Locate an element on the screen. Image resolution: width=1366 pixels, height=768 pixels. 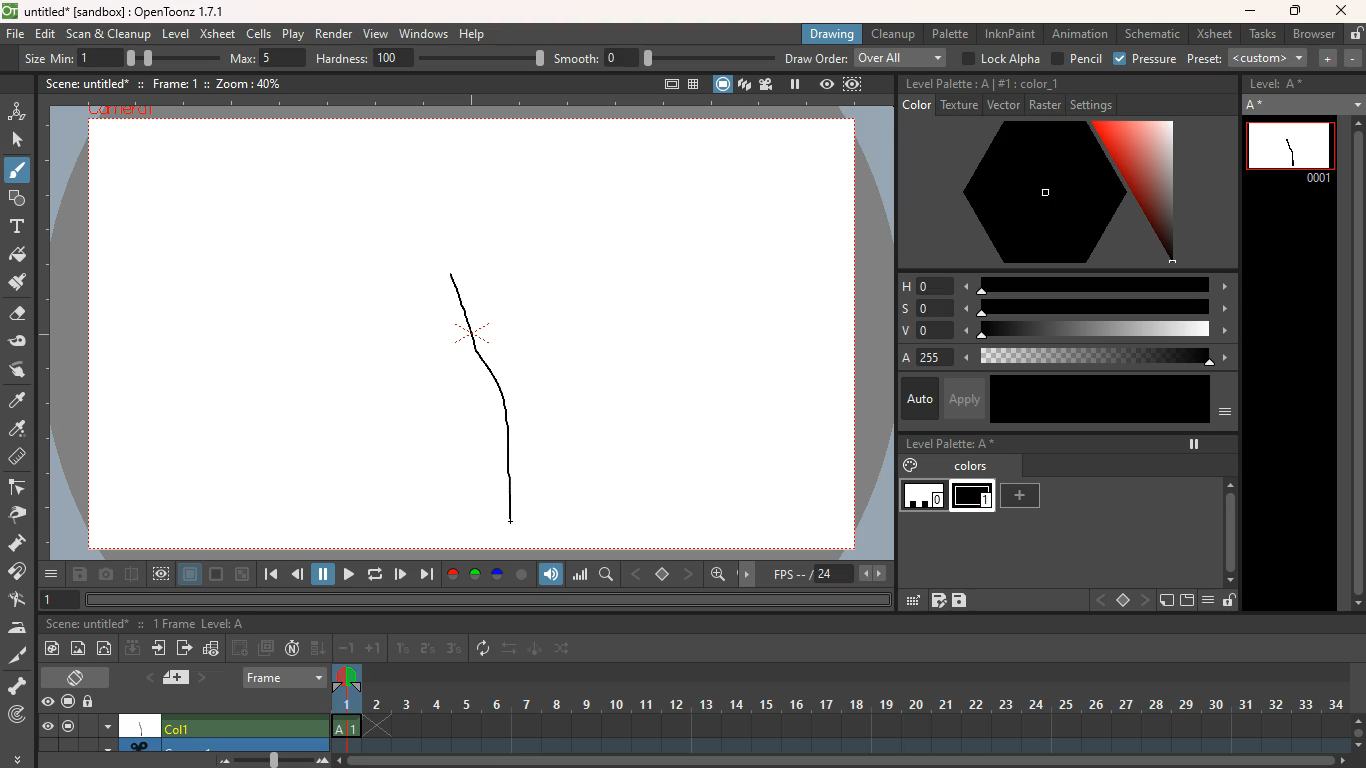
back is located at coordinates (638, 572).